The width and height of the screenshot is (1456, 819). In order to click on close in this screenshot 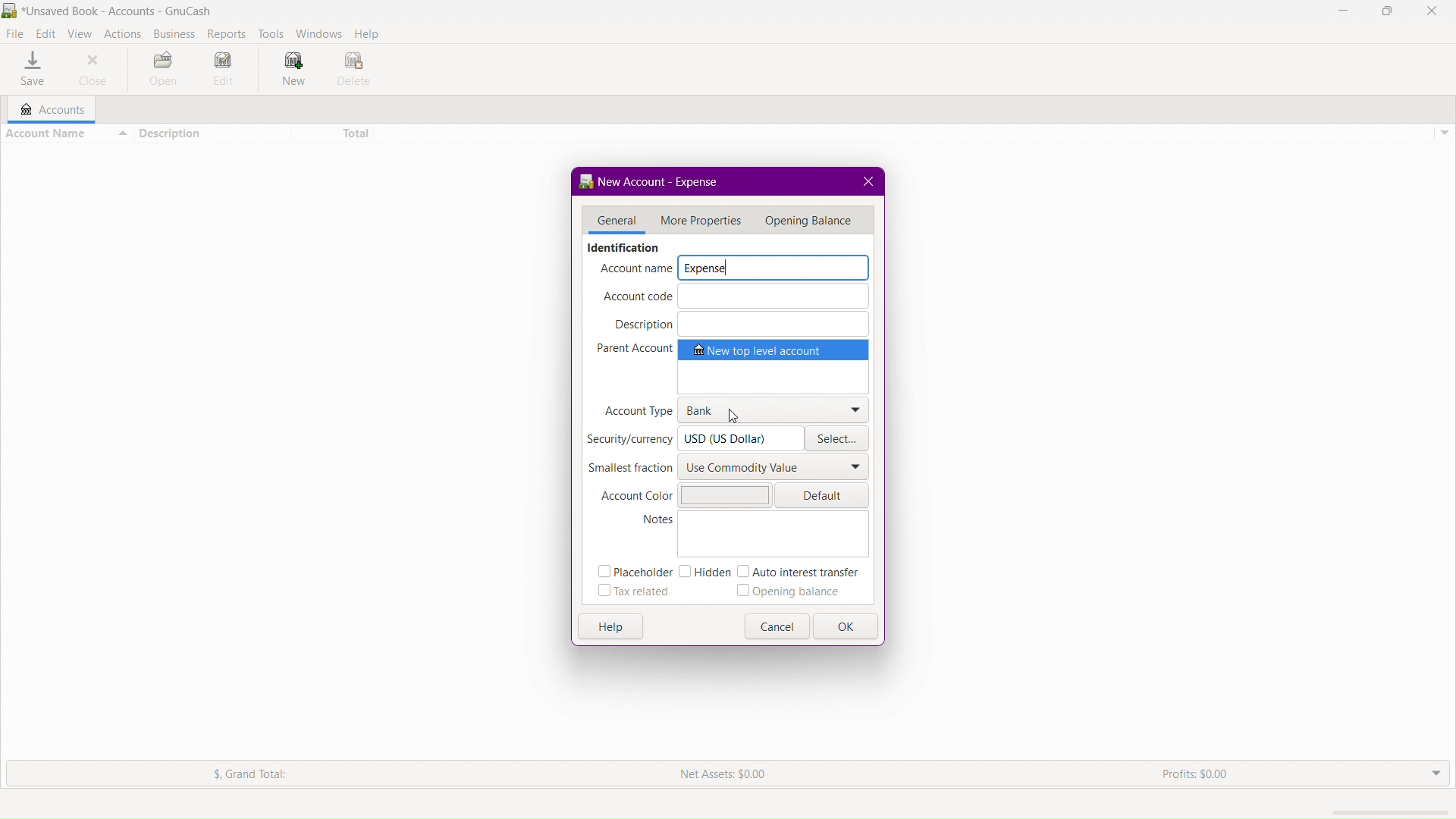, I will do `click(871, 179)`.